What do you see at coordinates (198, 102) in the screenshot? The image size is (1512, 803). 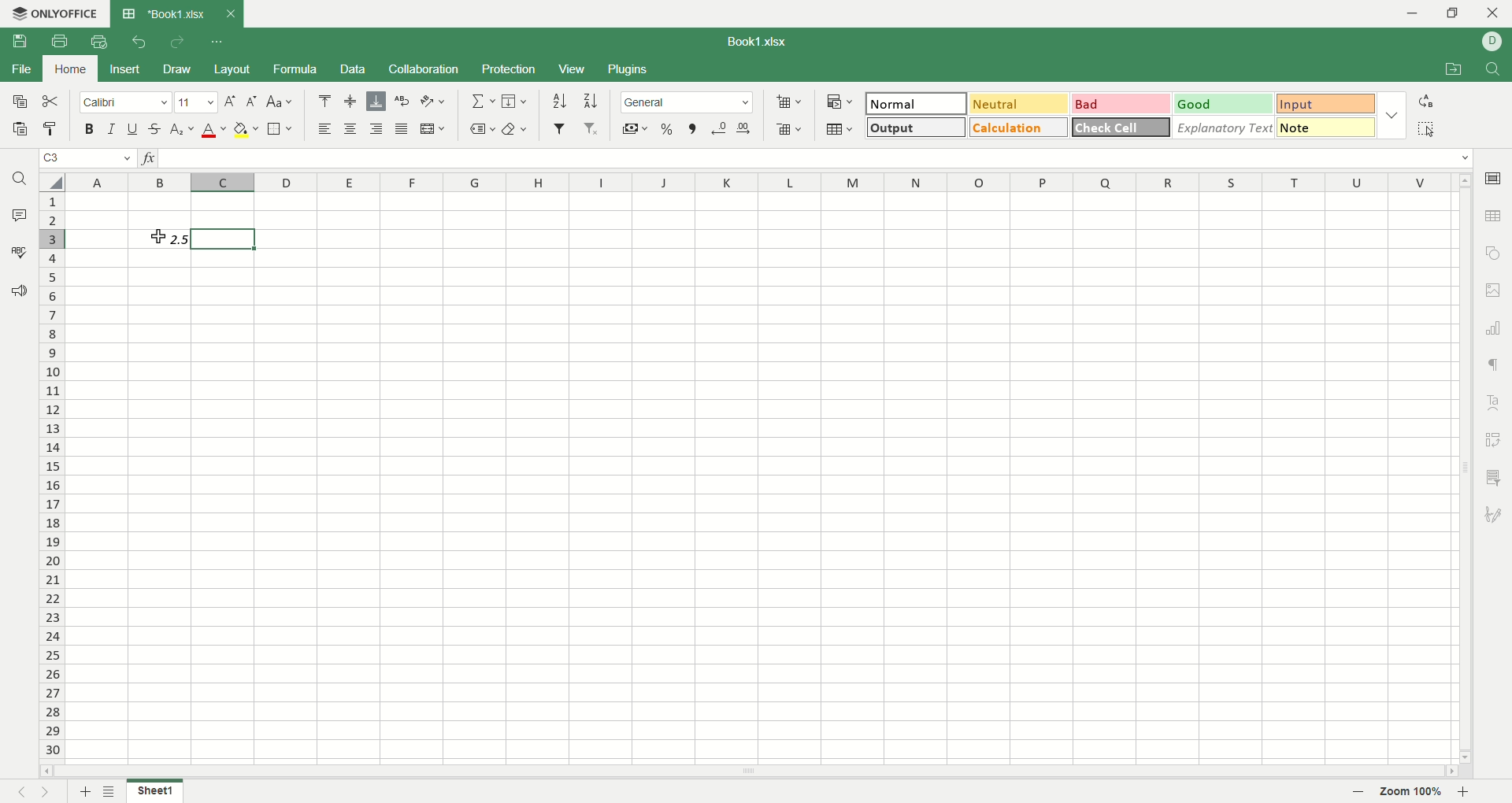 I see `font size` at bounding box center [198, 102].